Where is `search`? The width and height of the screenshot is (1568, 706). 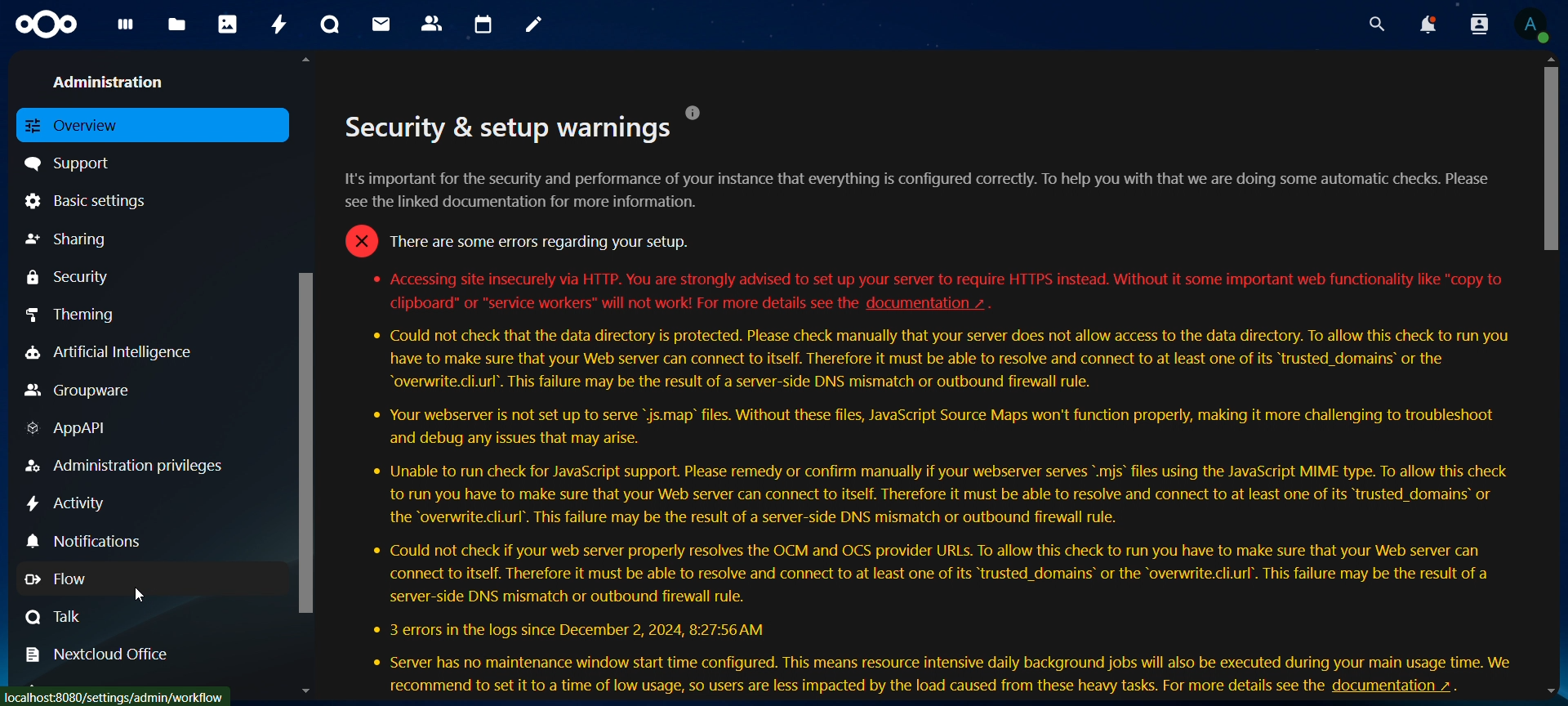 search is located at coordinates (1373, 25).